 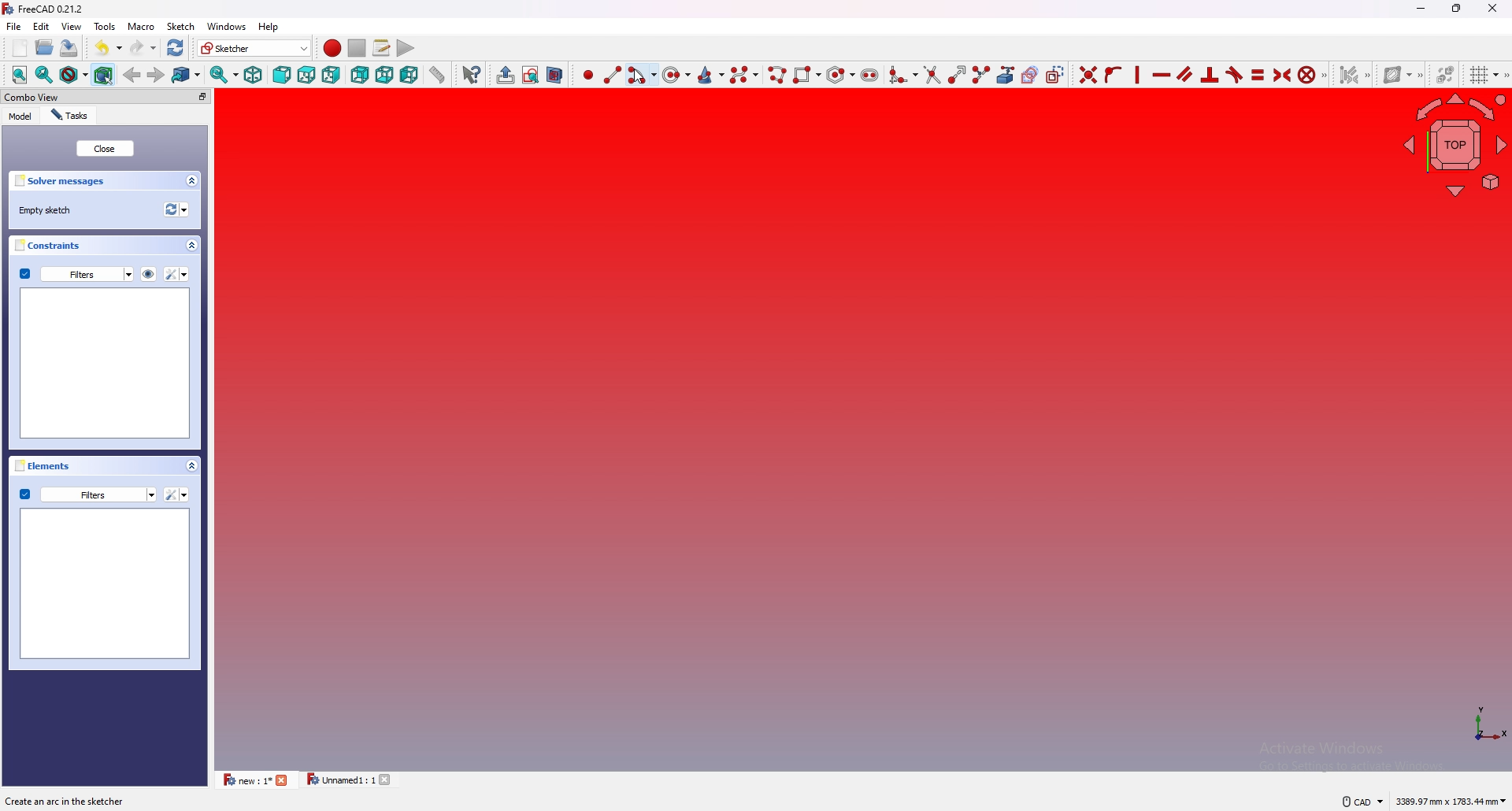 I want to click on constraint coincident, so click(x=1088, y=75).